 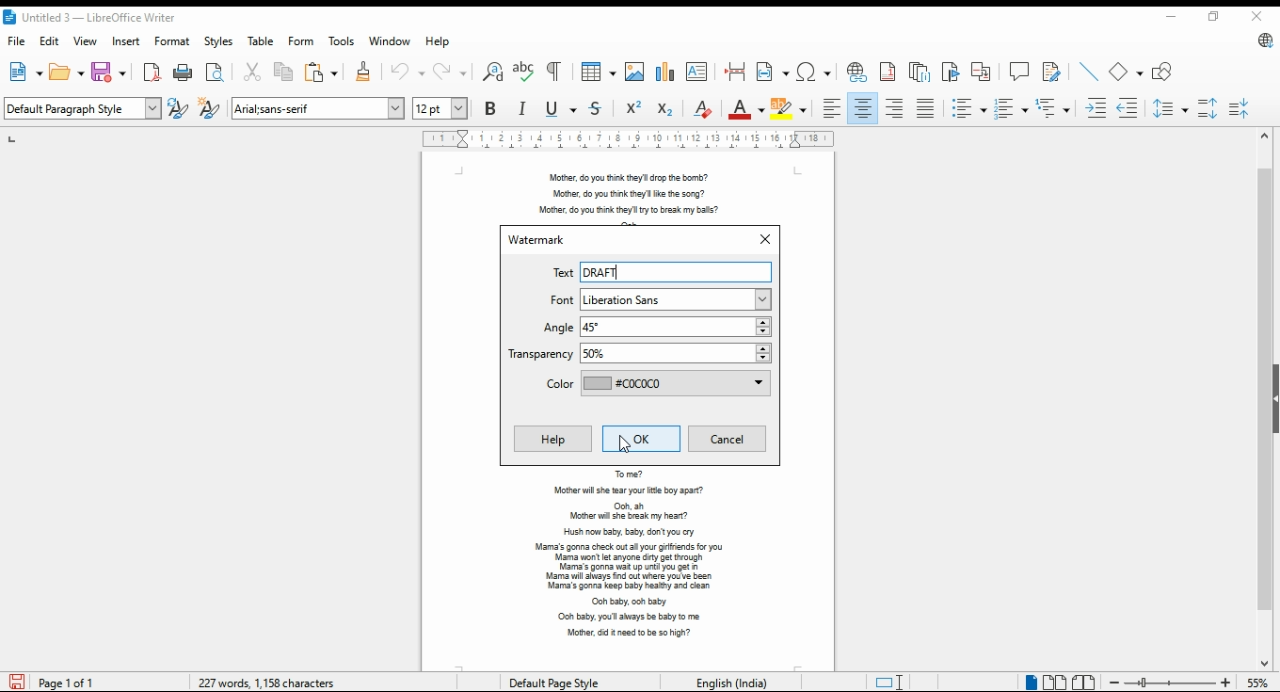 I want to click on multi page view, so click(x=1053, y=682).